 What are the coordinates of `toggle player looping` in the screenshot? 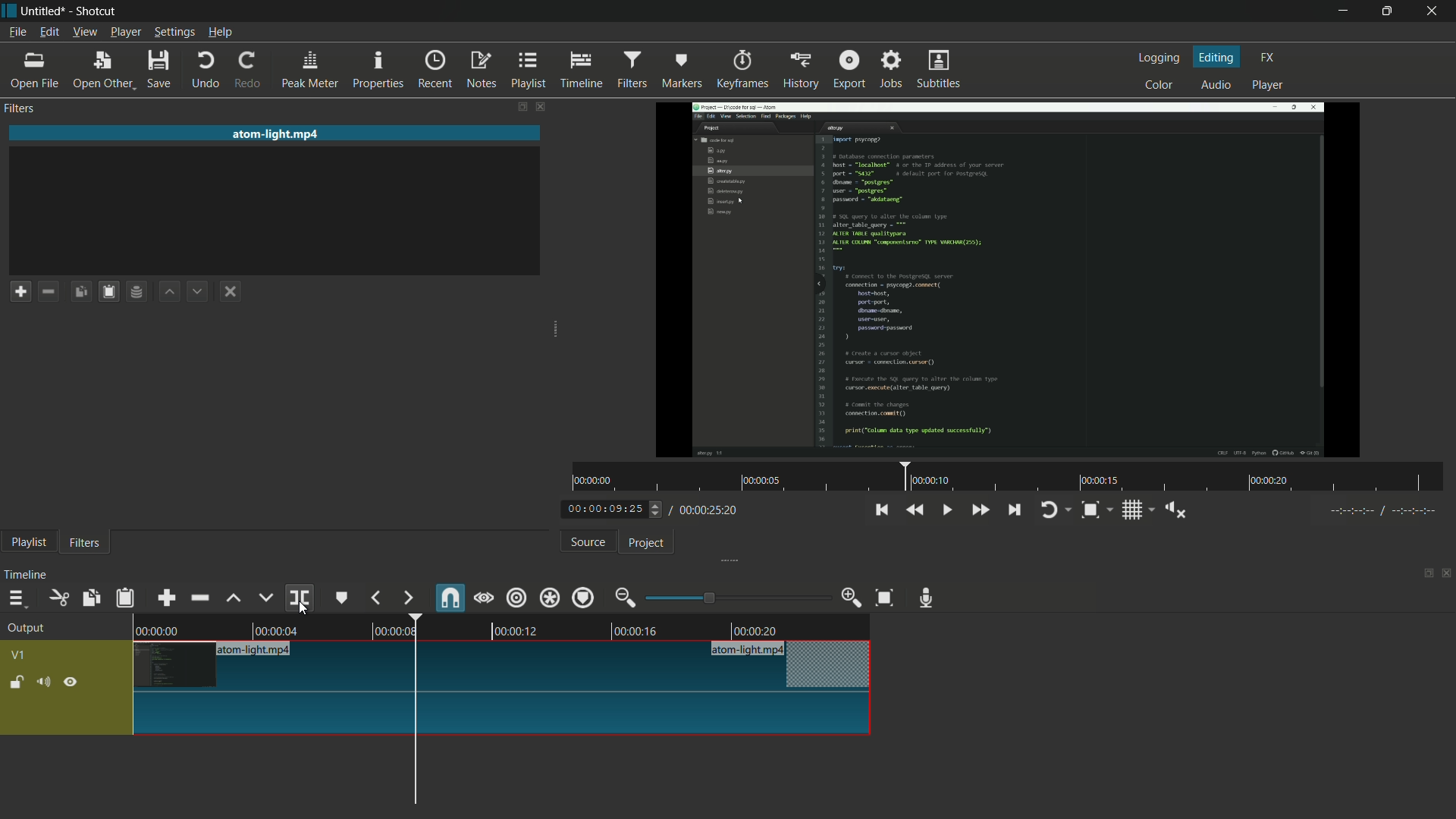 It's located at (1056, 510).